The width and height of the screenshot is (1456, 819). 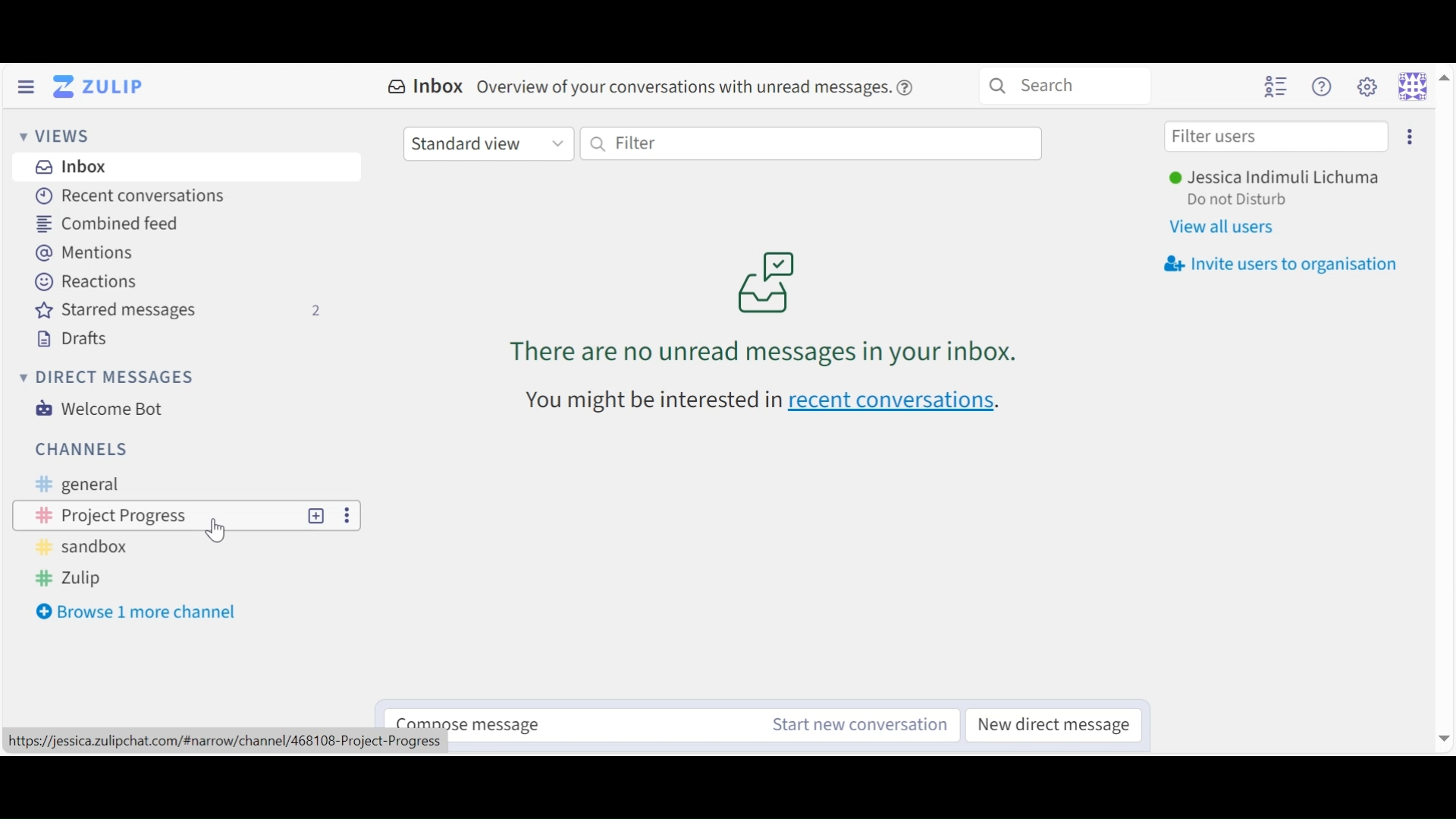 What do you see at coordinates (1277, 179) in the screenshot?
I see `Username` at bounding box center [1277, 179].